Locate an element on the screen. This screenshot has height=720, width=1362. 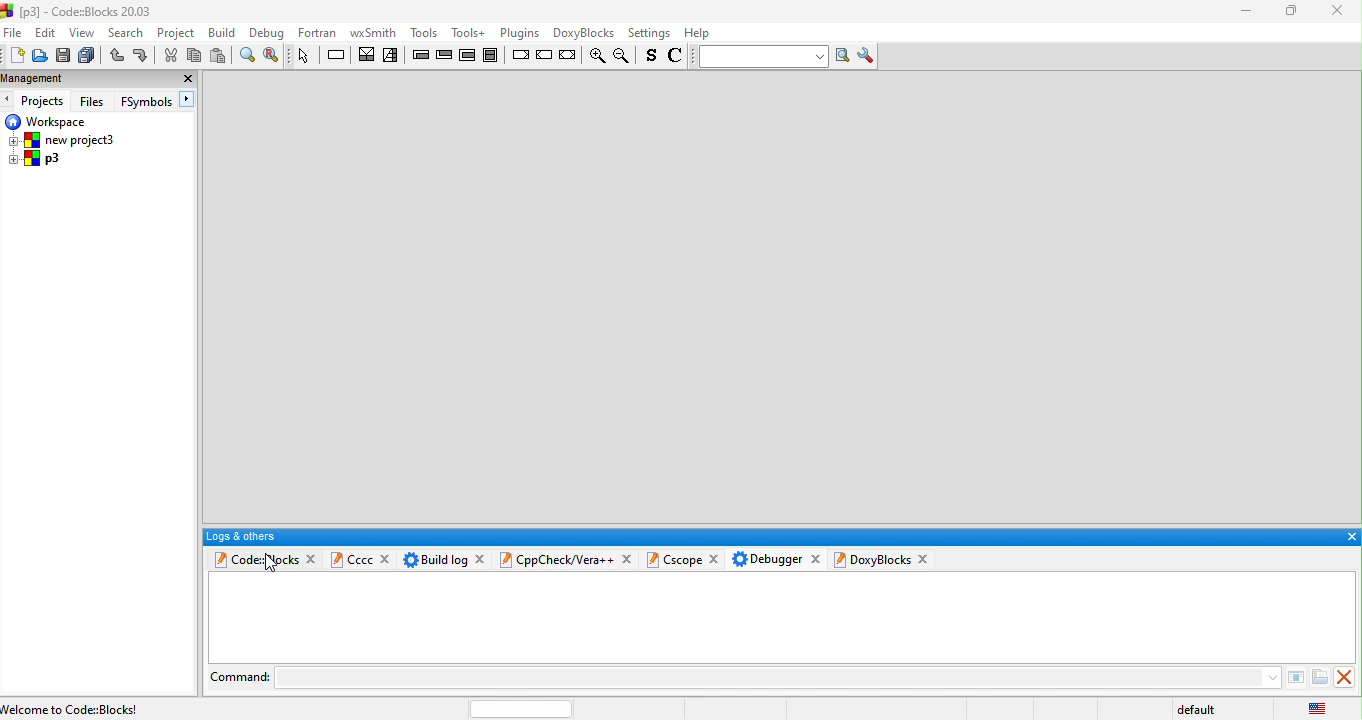
replace is located at coordinates (273, 56).